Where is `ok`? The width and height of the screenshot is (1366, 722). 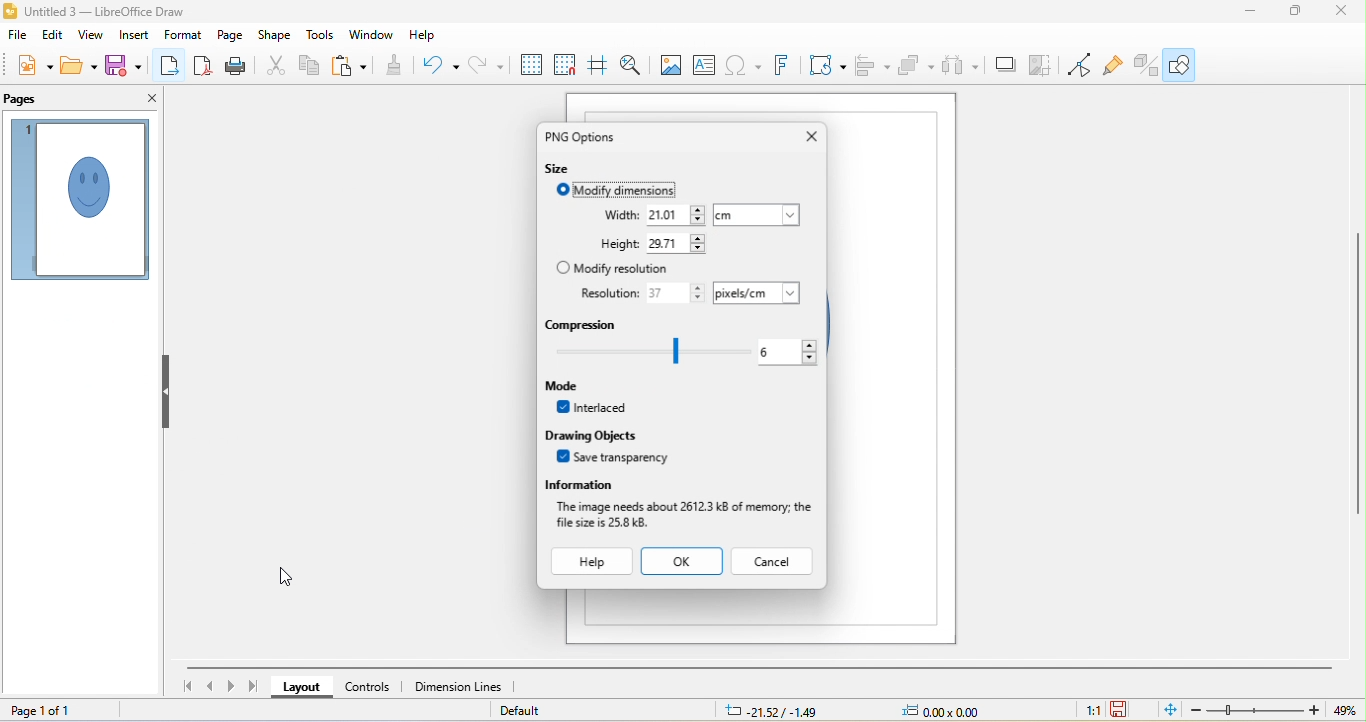
ok is located at coordinates (681, 561).